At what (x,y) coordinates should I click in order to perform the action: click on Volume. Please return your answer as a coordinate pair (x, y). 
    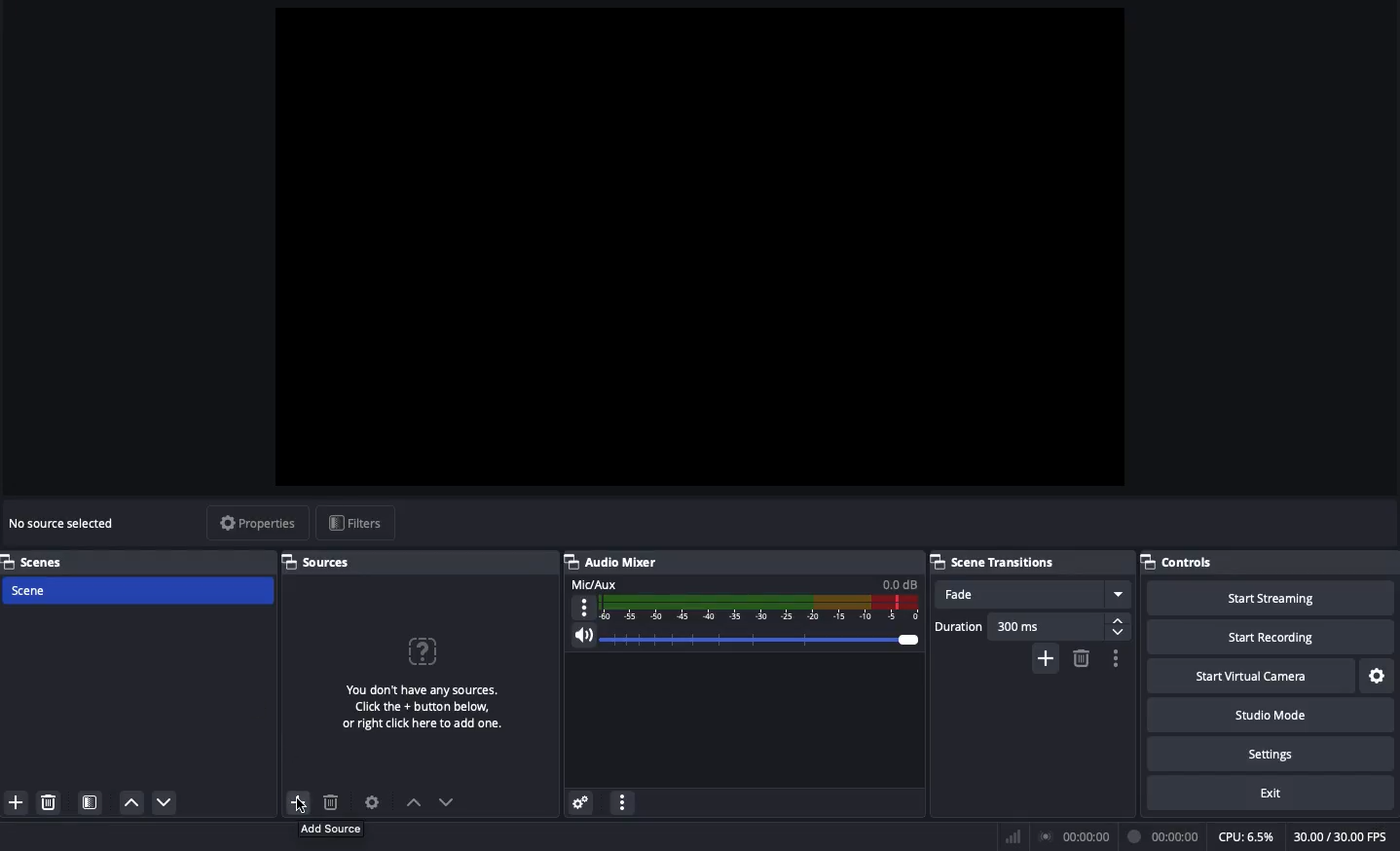
    Looking at the image, I should click on (743, 637).